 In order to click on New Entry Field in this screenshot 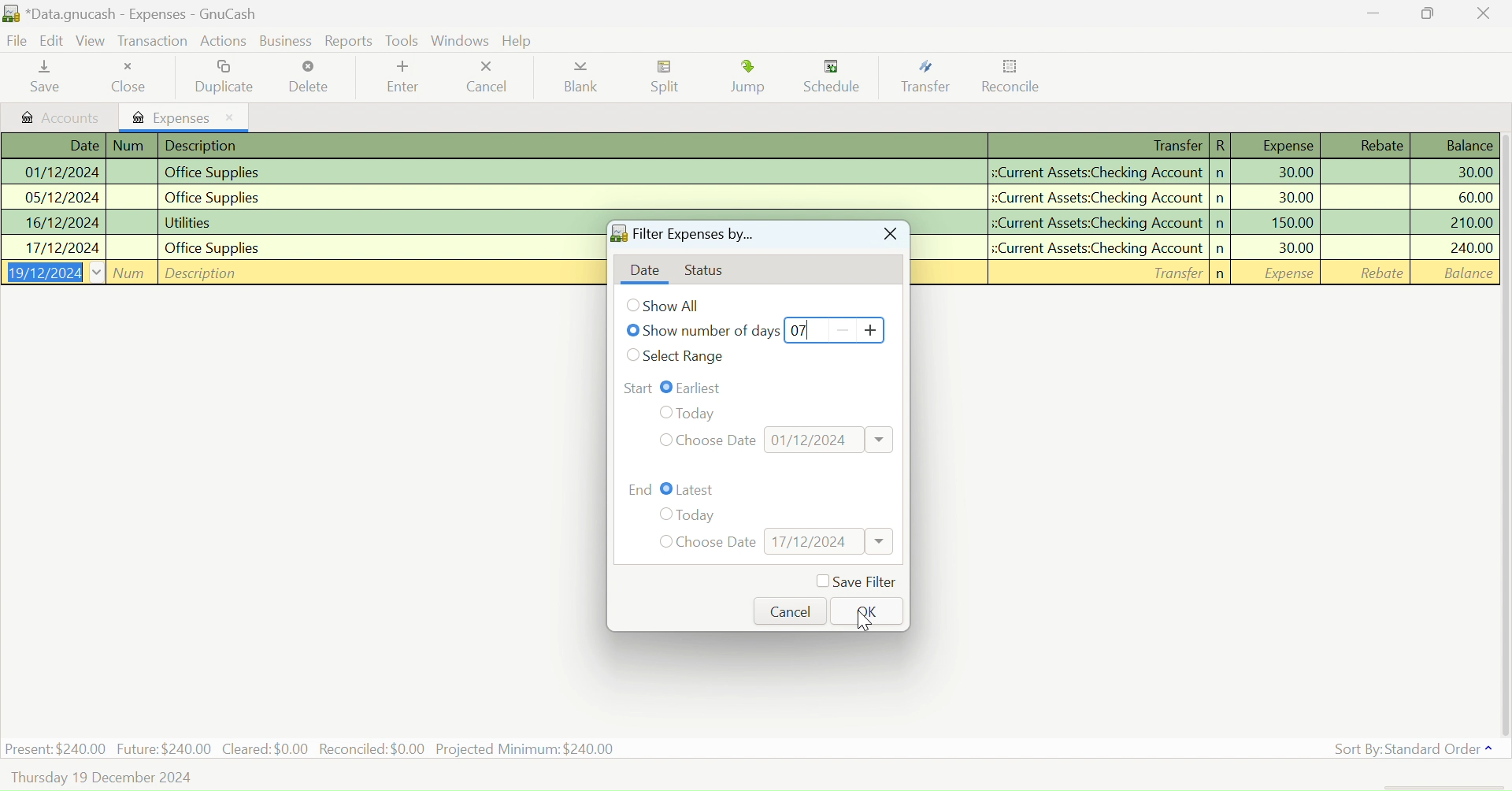, I will do `click(301, 271)`.